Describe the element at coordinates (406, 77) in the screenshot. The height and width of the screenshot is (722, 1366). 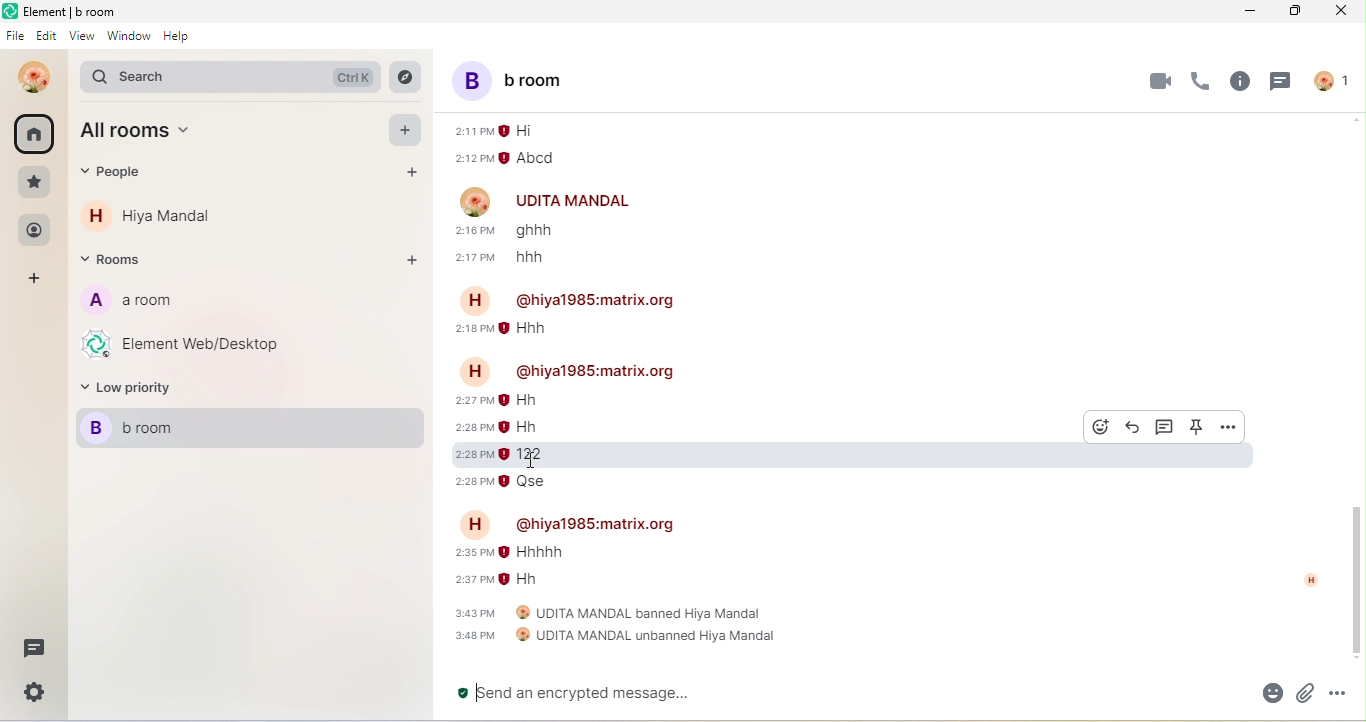
I see `explore` at that location.